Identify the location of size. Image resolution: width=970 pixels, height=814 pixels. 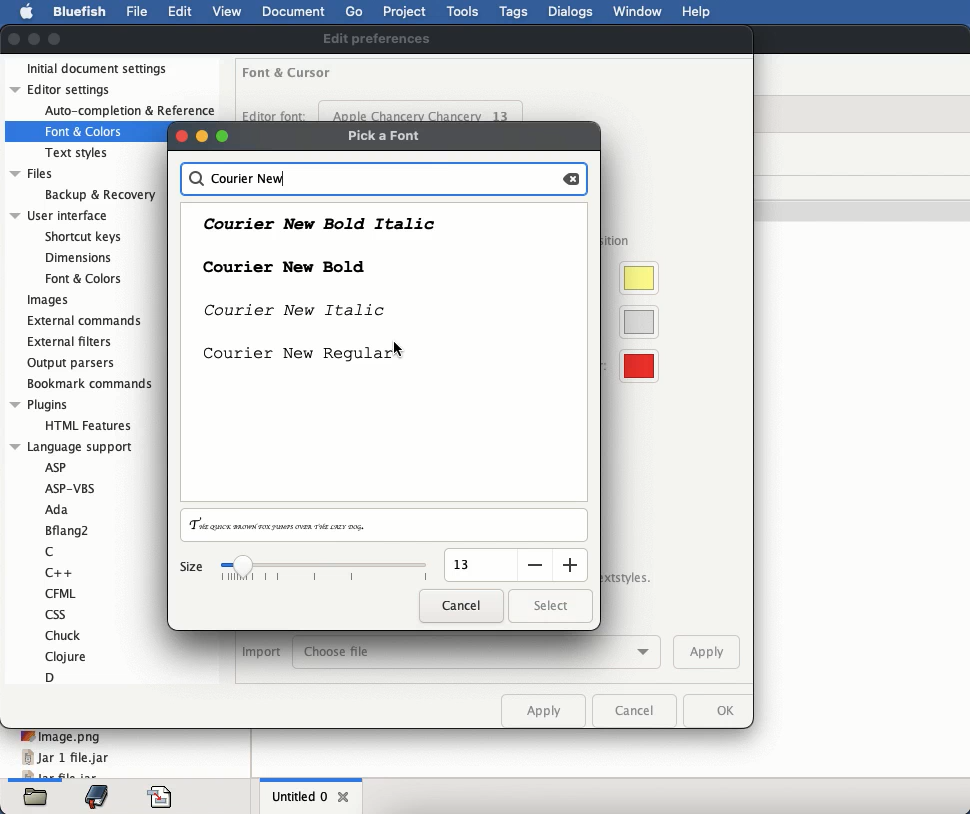
(309, 570).